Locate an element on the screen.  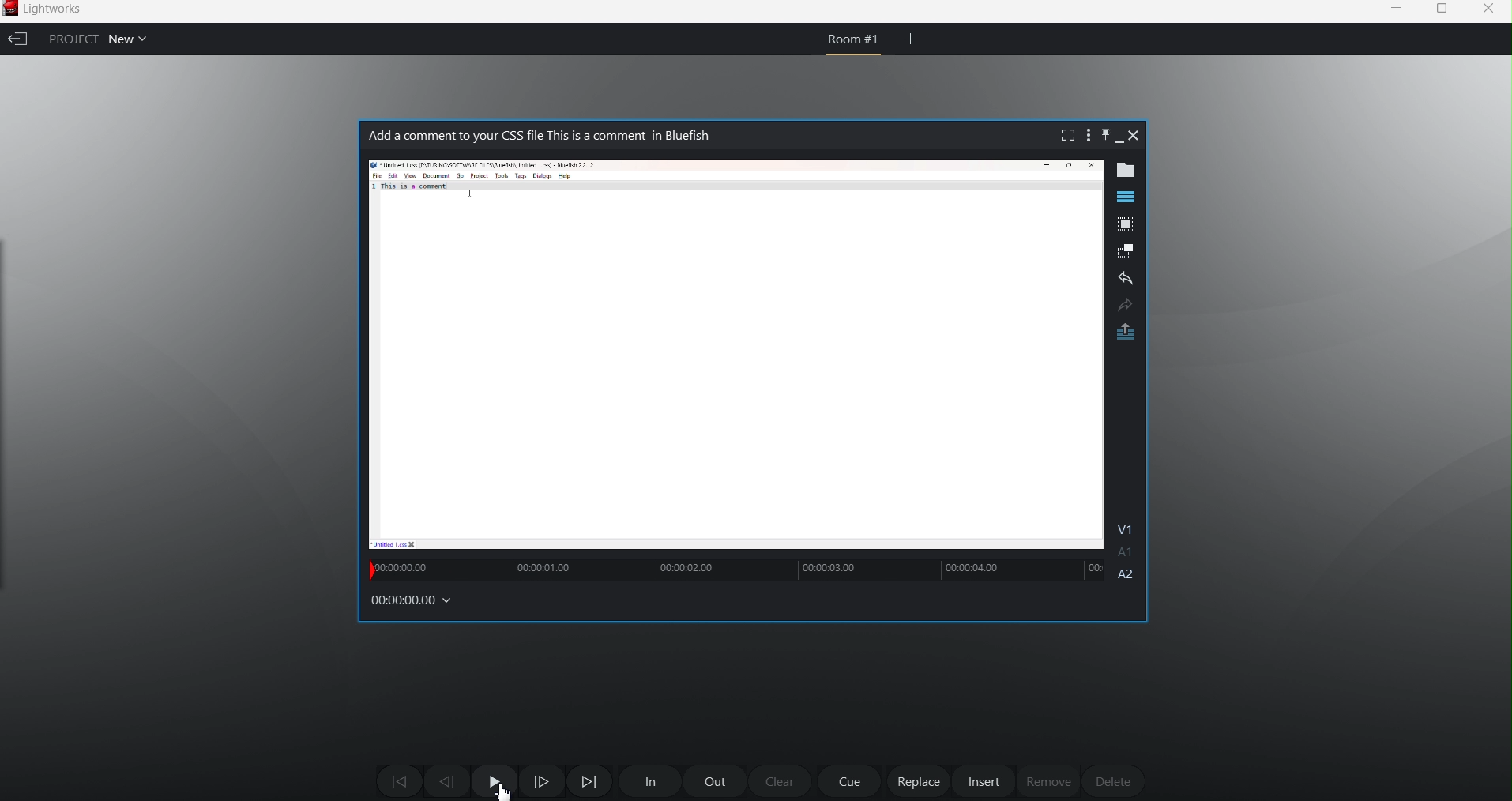
Cue is located at coordinates (852, 782).